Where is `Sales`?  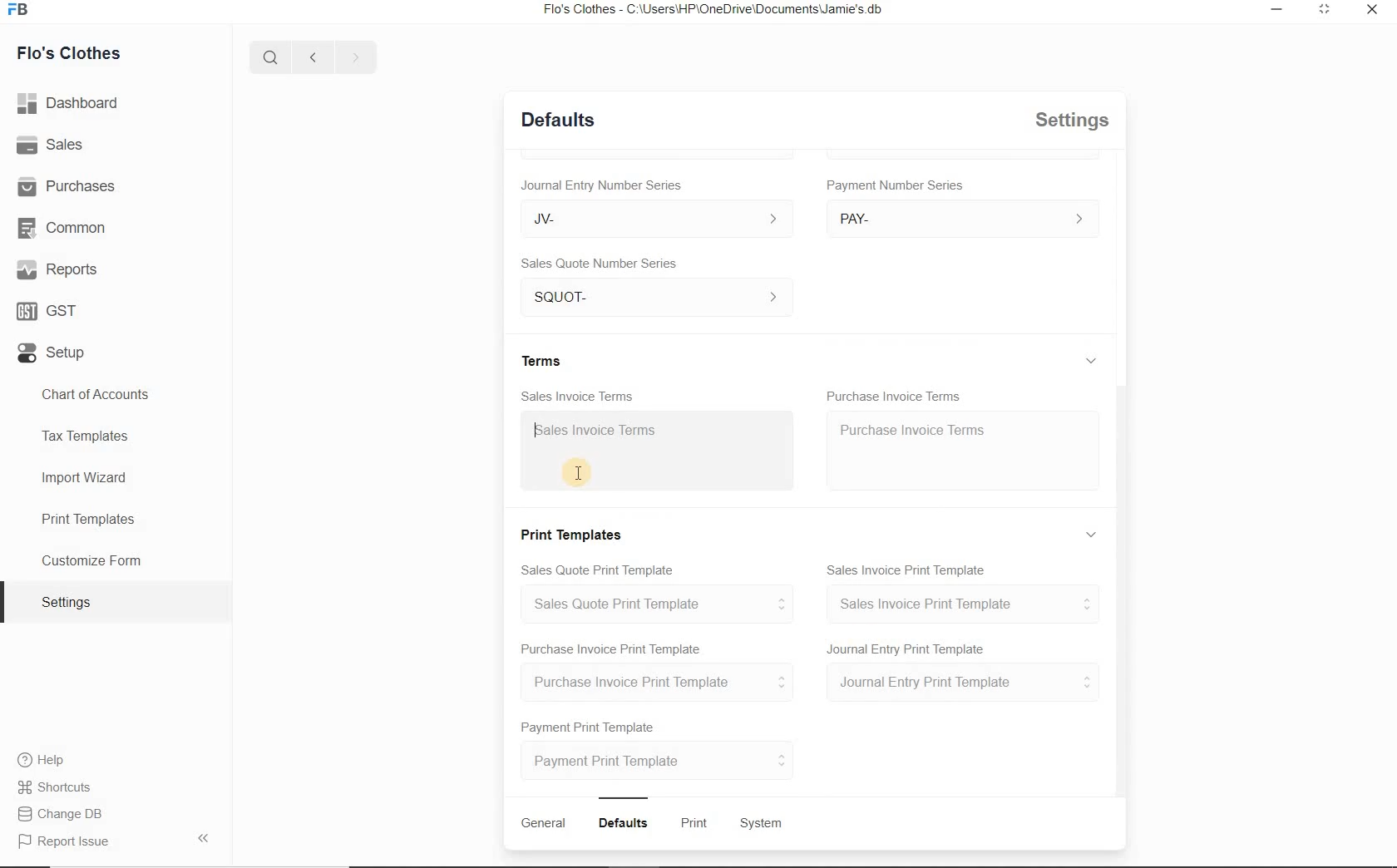
Sales is located at coordinates (50, 144).